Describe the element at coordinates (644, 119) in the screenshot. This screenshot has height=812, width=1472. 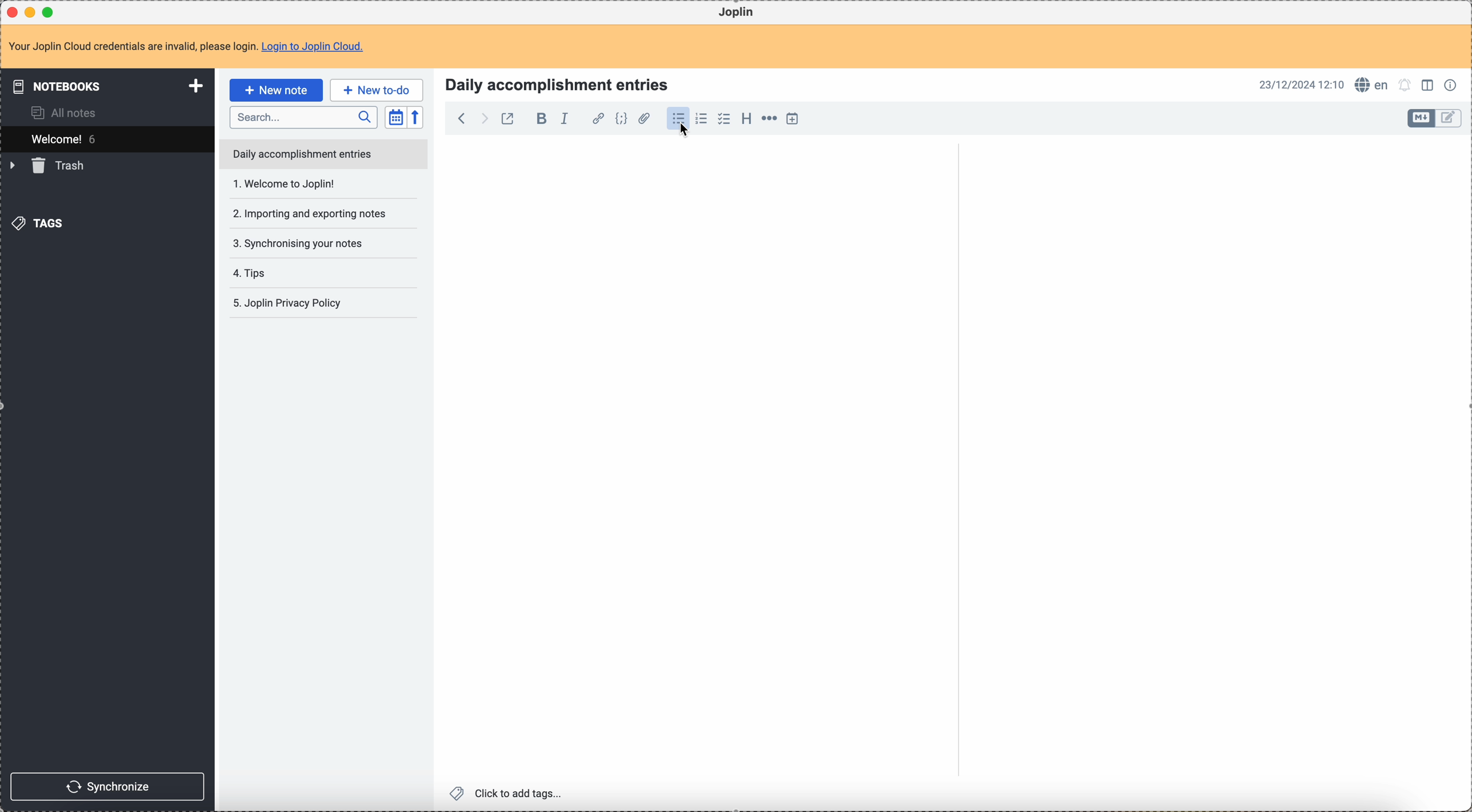
I see `attach file` at that location.